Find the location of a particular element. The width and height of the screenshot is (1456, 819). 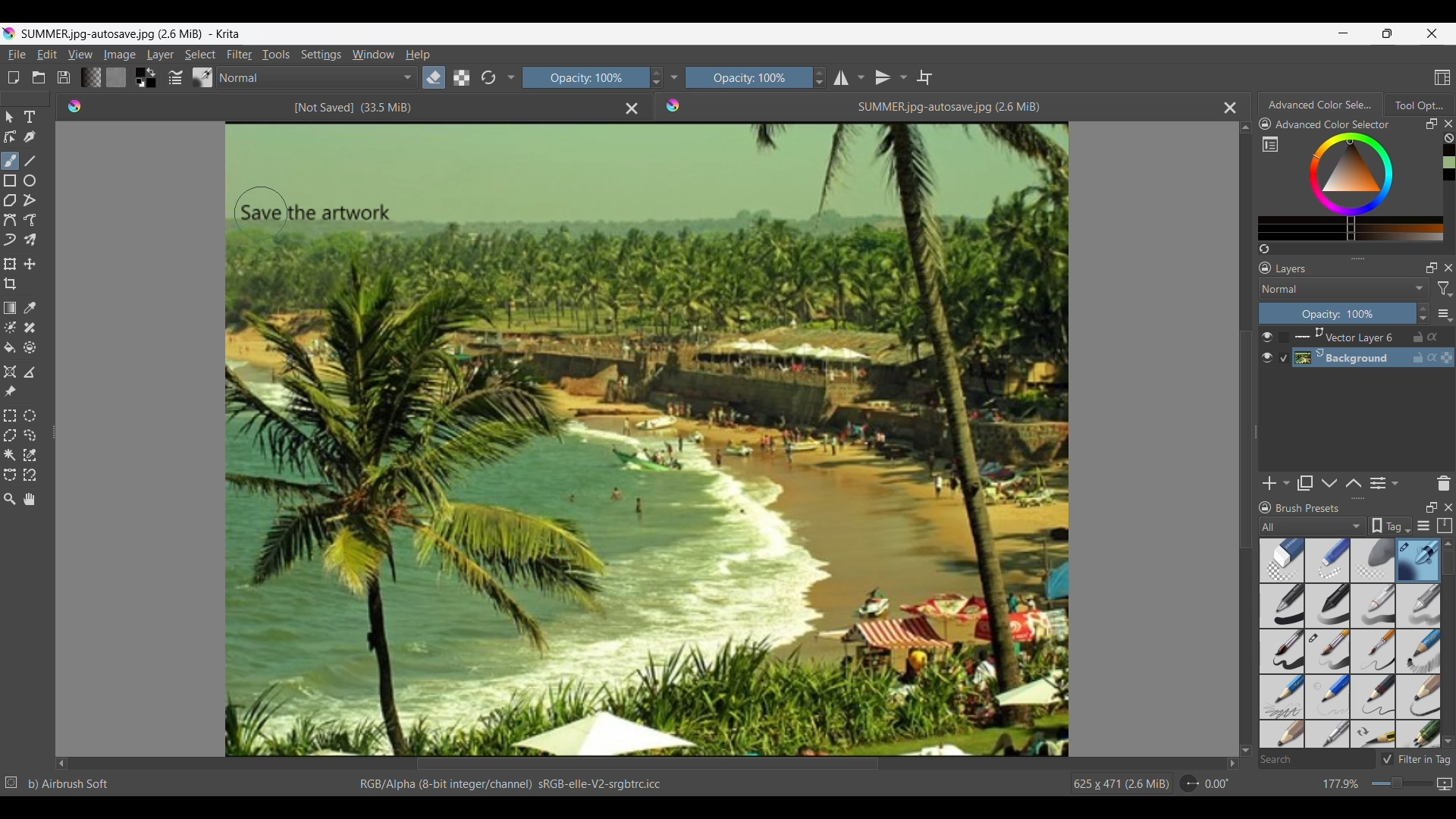

Opacity 100% is located at coordinates (1337, 314).